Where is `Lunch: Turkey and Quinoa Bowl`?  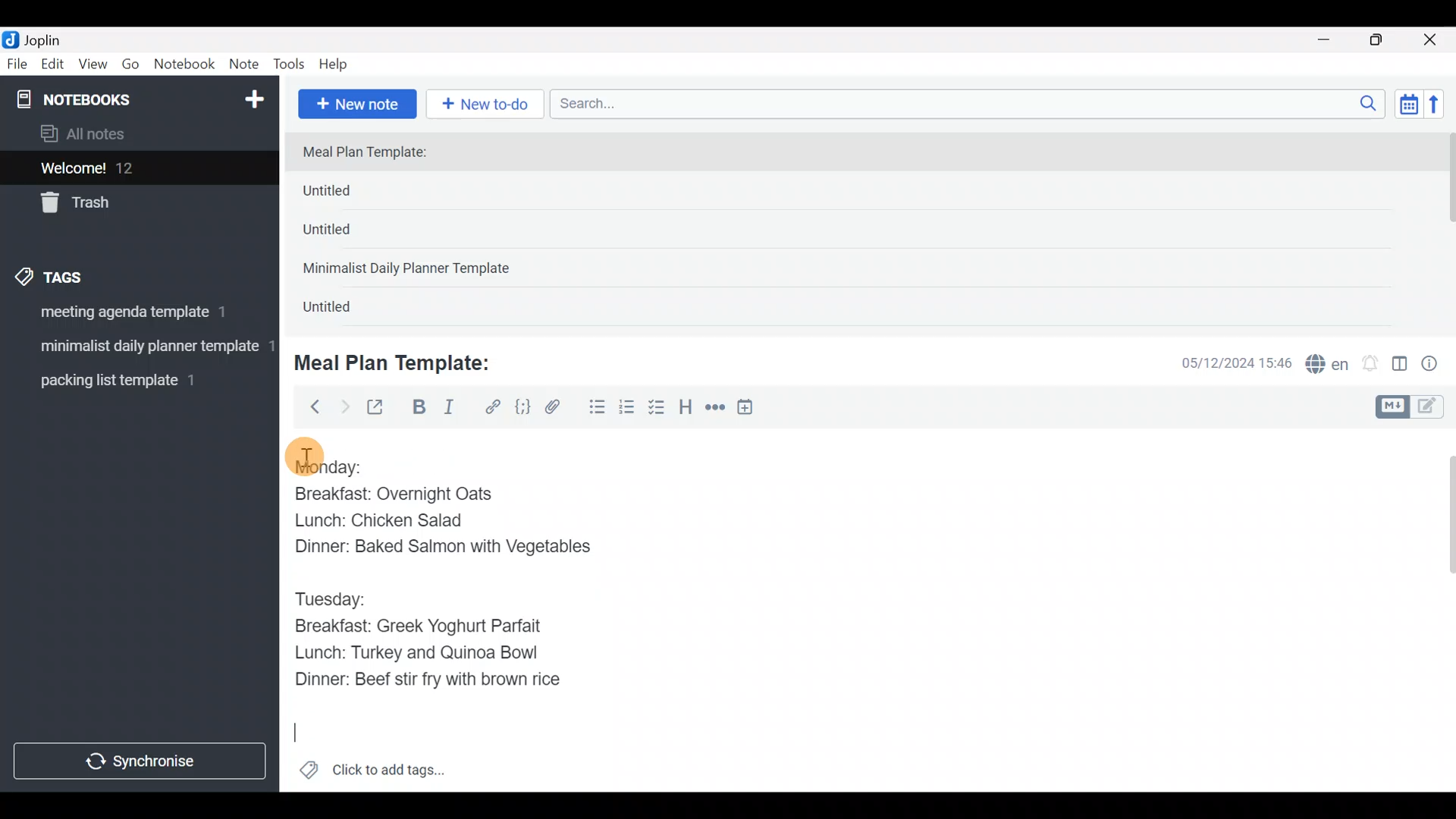 Lunch: Turkey and Quinoa Bowl is located at coordinates (422, 653).